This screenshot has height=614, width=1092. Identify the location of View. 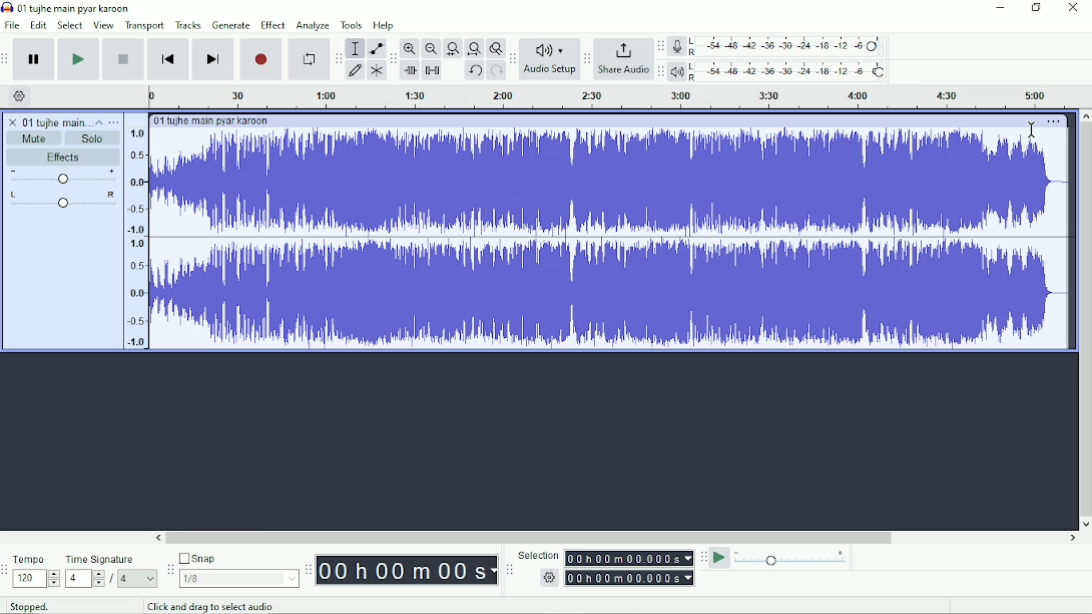
(104, 26).